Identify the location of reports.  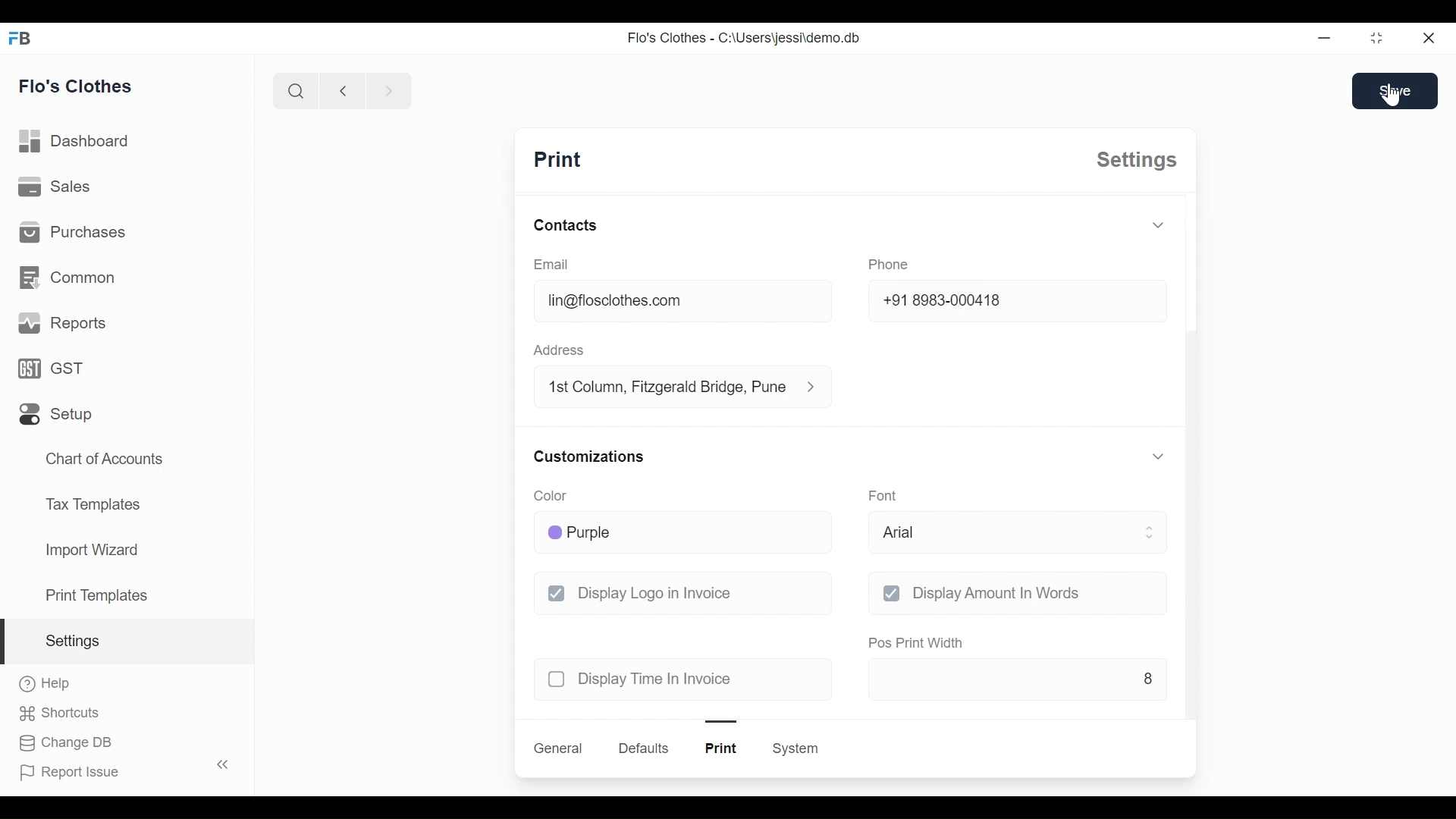
(64, 323).